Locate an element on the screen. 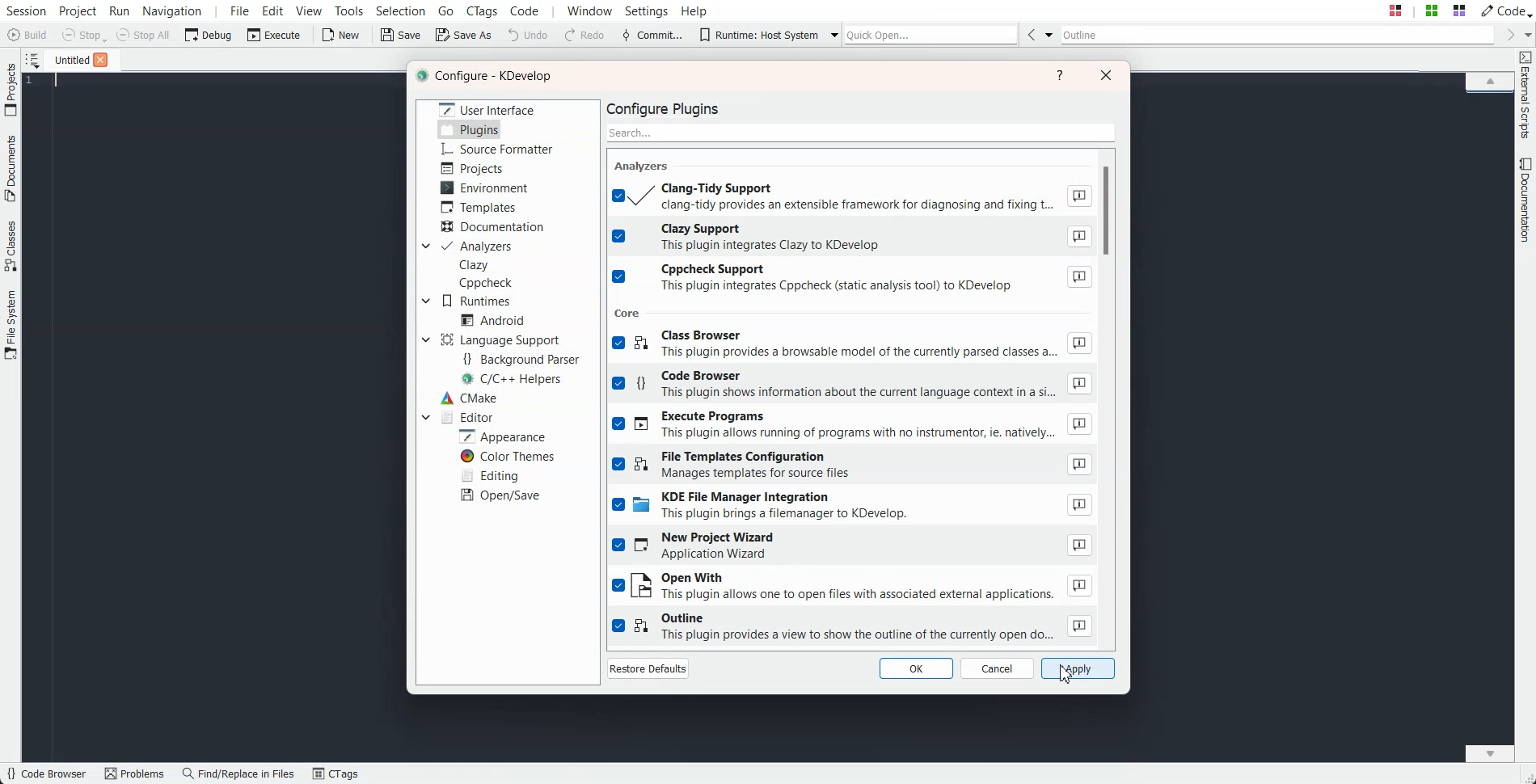 The height and width of the screenshot is (784, 1536). Outline is located at coordinates (1278, 35).